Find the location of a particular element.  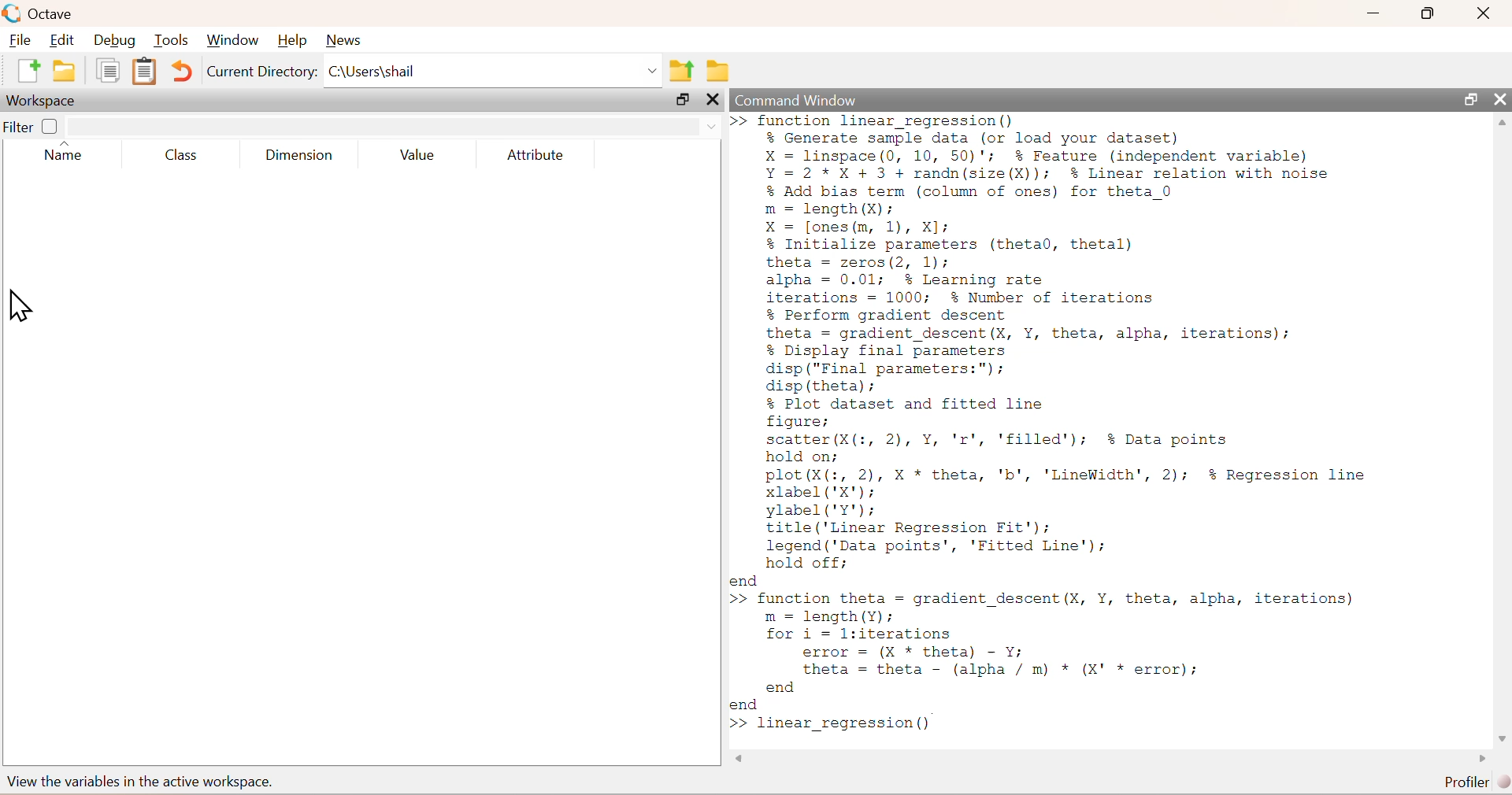

Help is located at coordinates (292, 39).